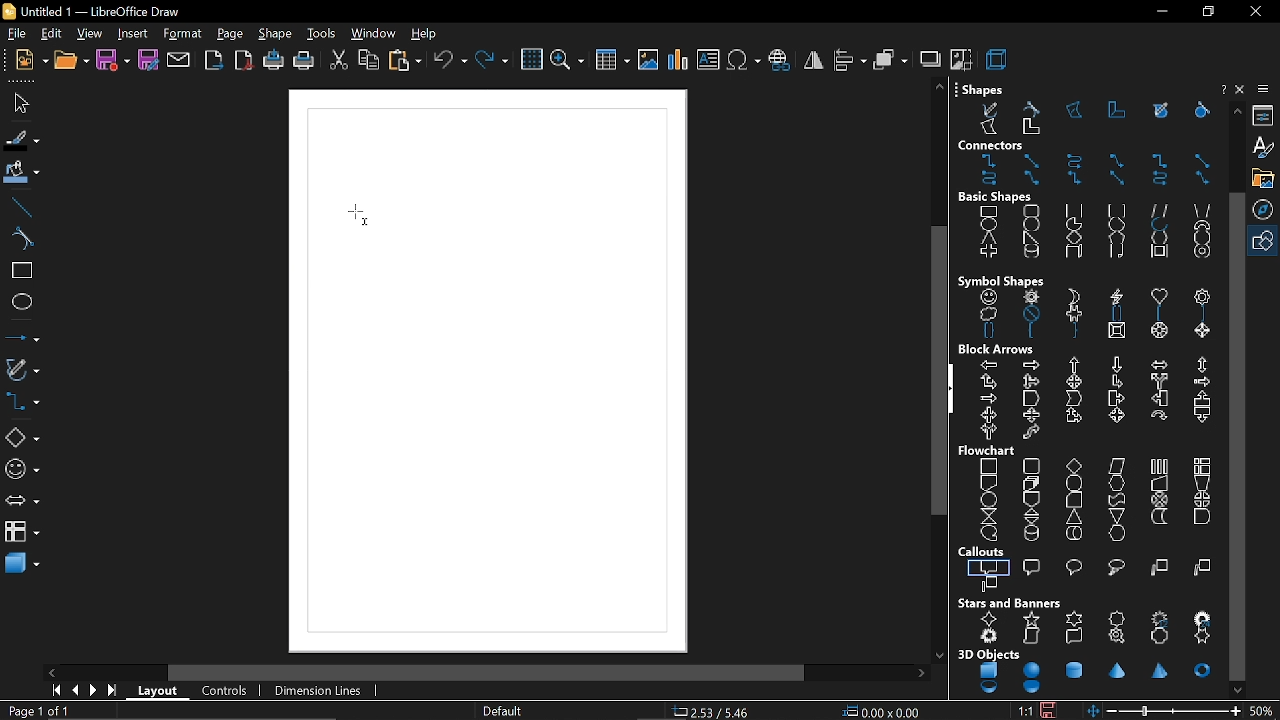  I want to click on stored data, so click(1158, 517).